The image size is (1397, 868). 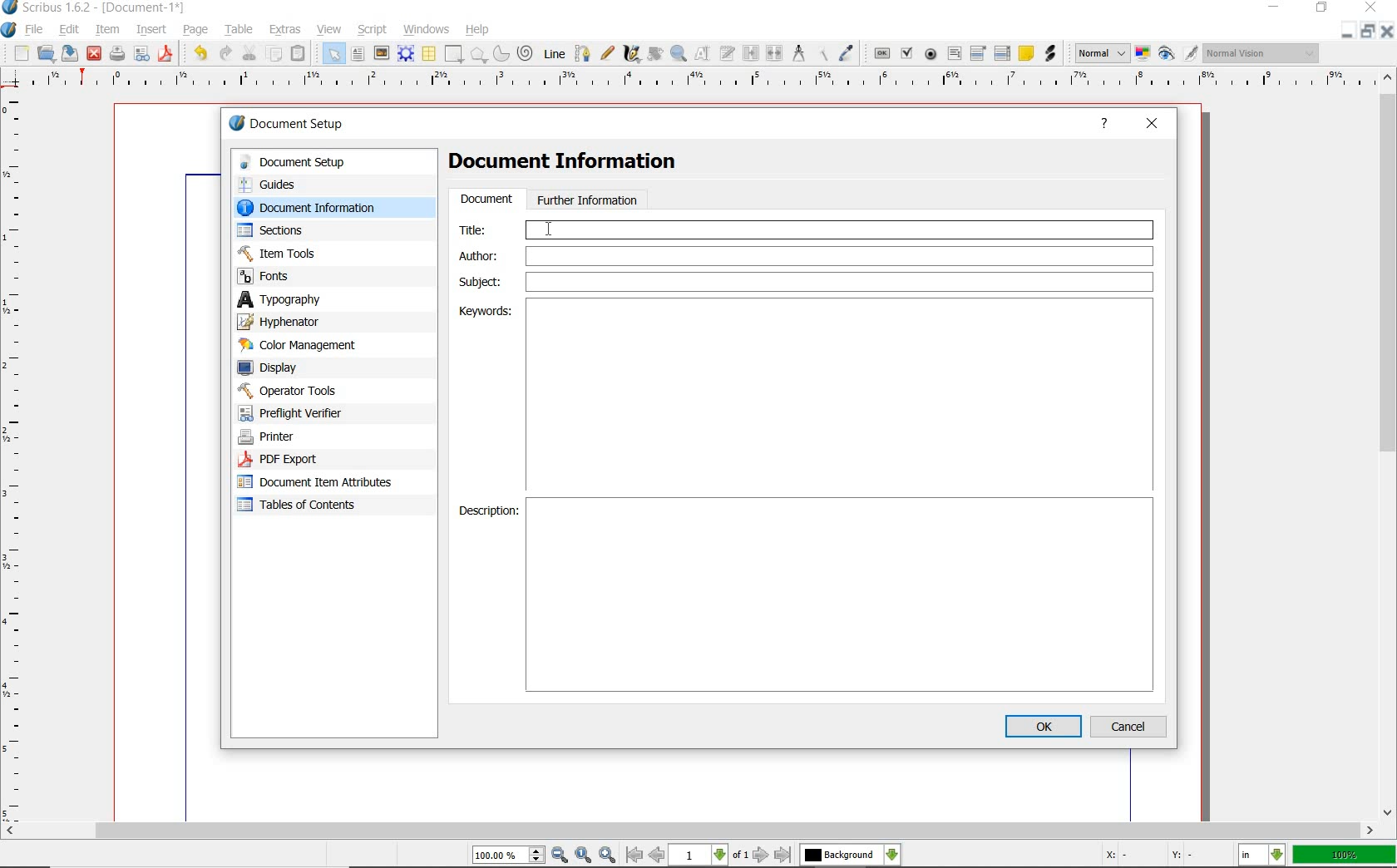 What do you see at coordinates (1272, 7) in the screenshot?
I see `minimize` at bounding box center [1272, 7].